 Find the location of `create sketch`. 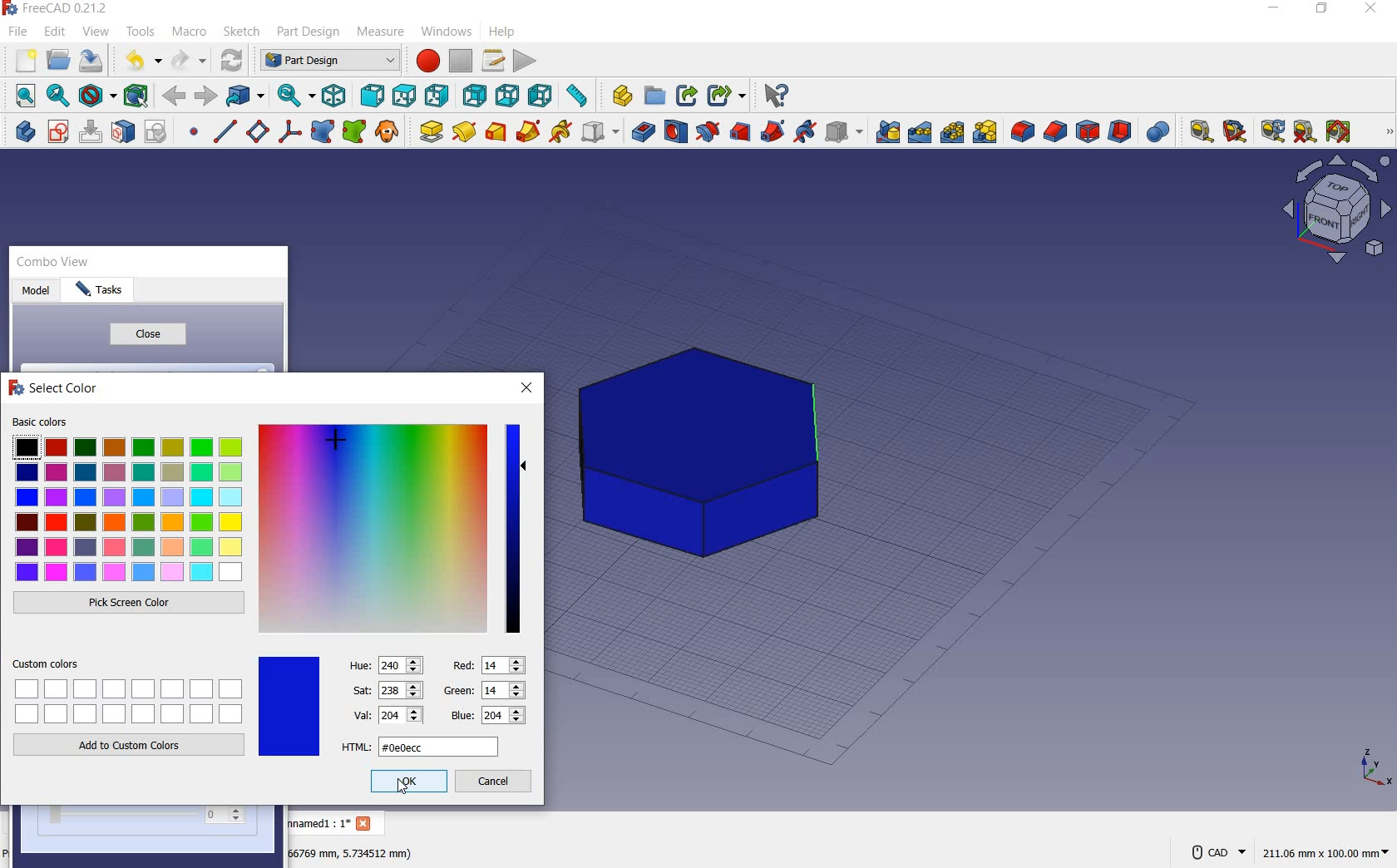

create sketch is located at coordinates (57, 132).